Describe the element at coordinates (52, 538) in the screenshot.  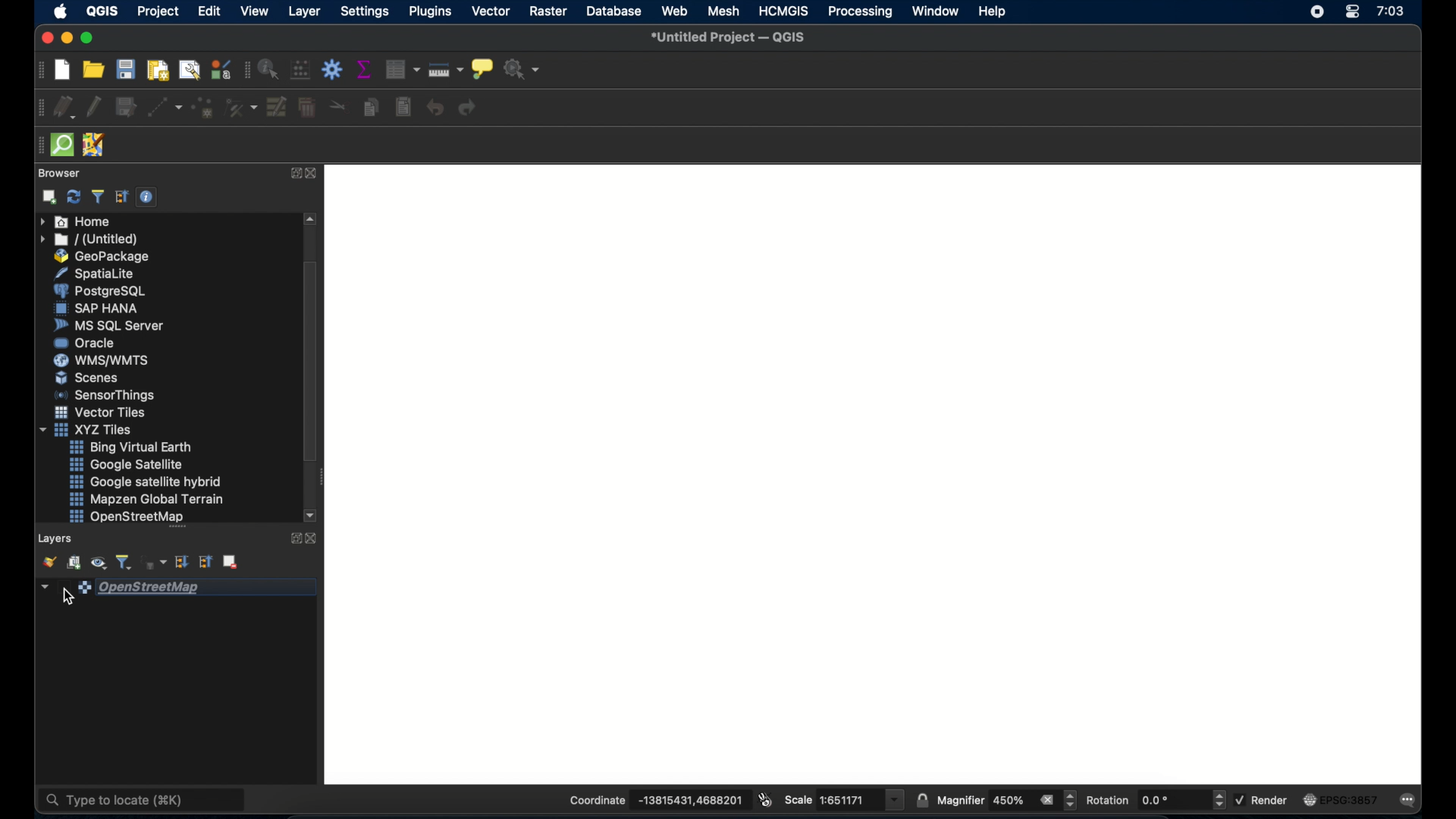
I see `layers` at that location.